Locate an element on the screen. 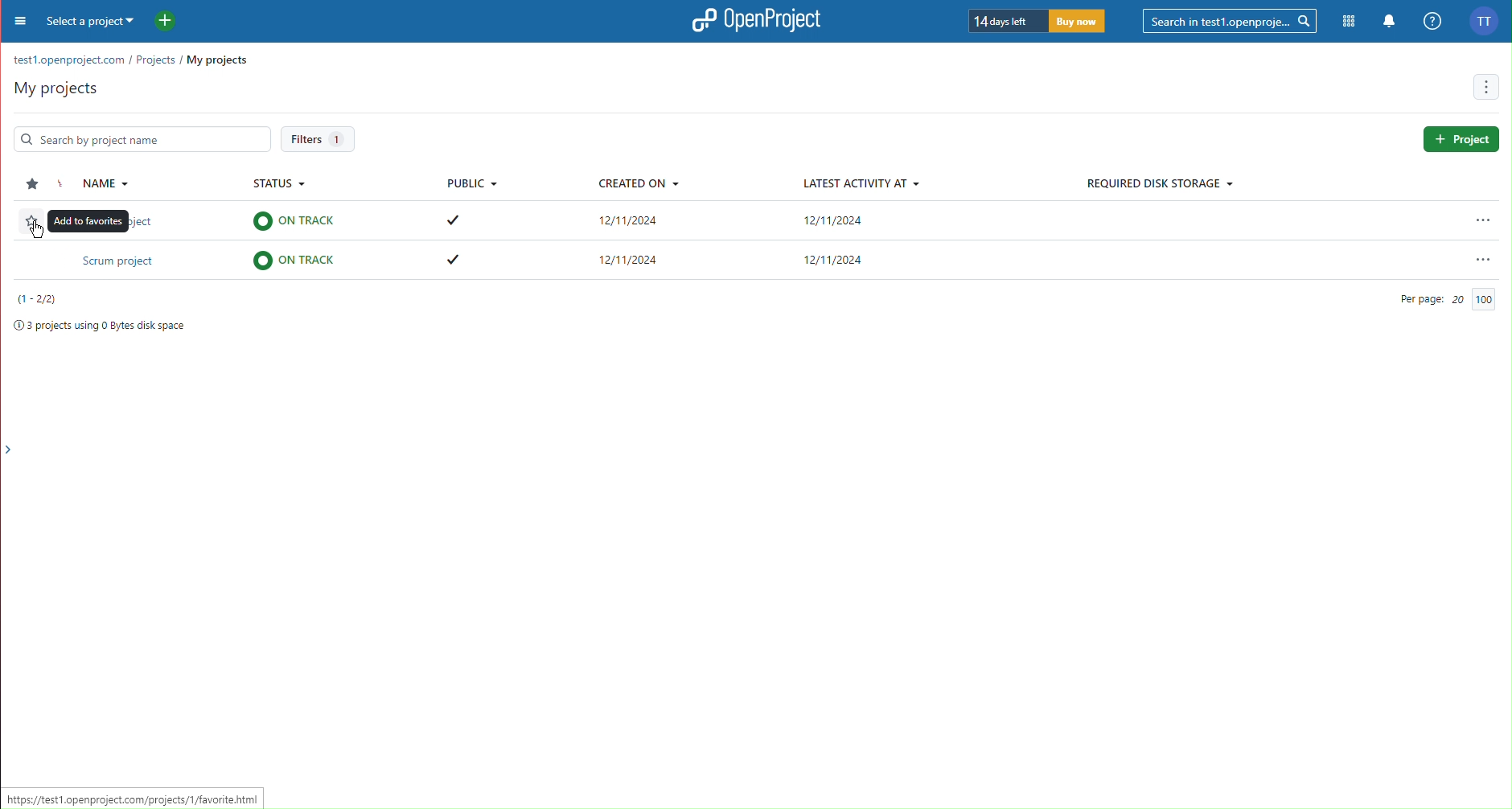  Status is located at coordinates (283, 186).